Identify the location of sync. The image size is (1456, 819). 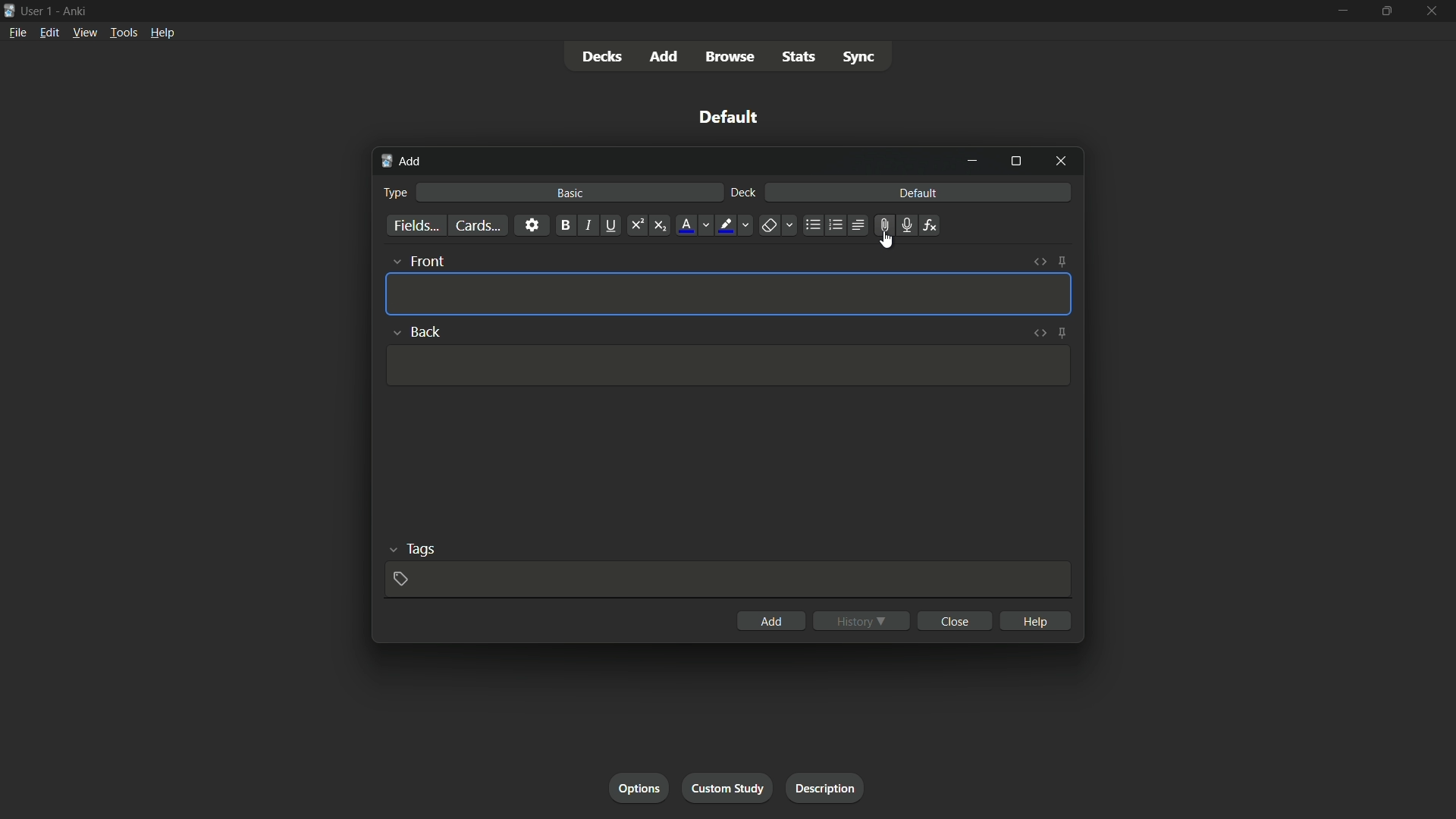
(861, 58).